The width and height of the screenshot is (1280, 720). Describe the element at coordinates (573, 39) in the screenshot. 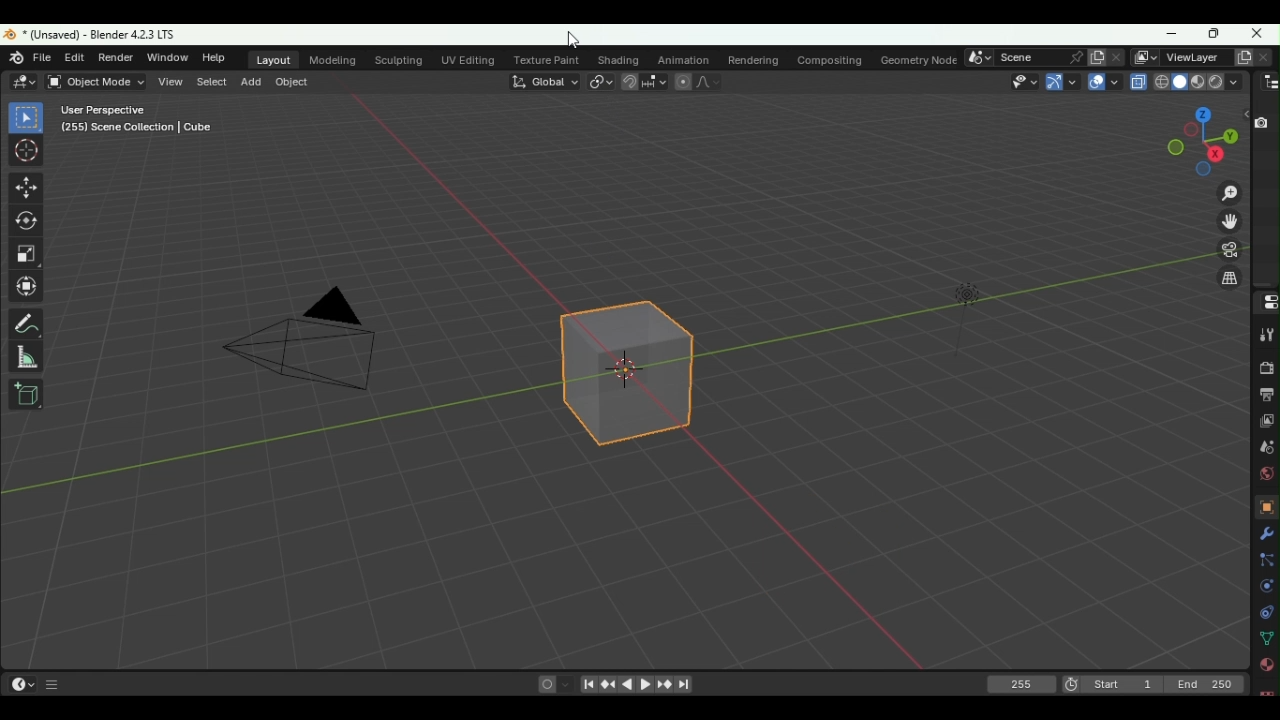

I see `pointer cursor` at that location.